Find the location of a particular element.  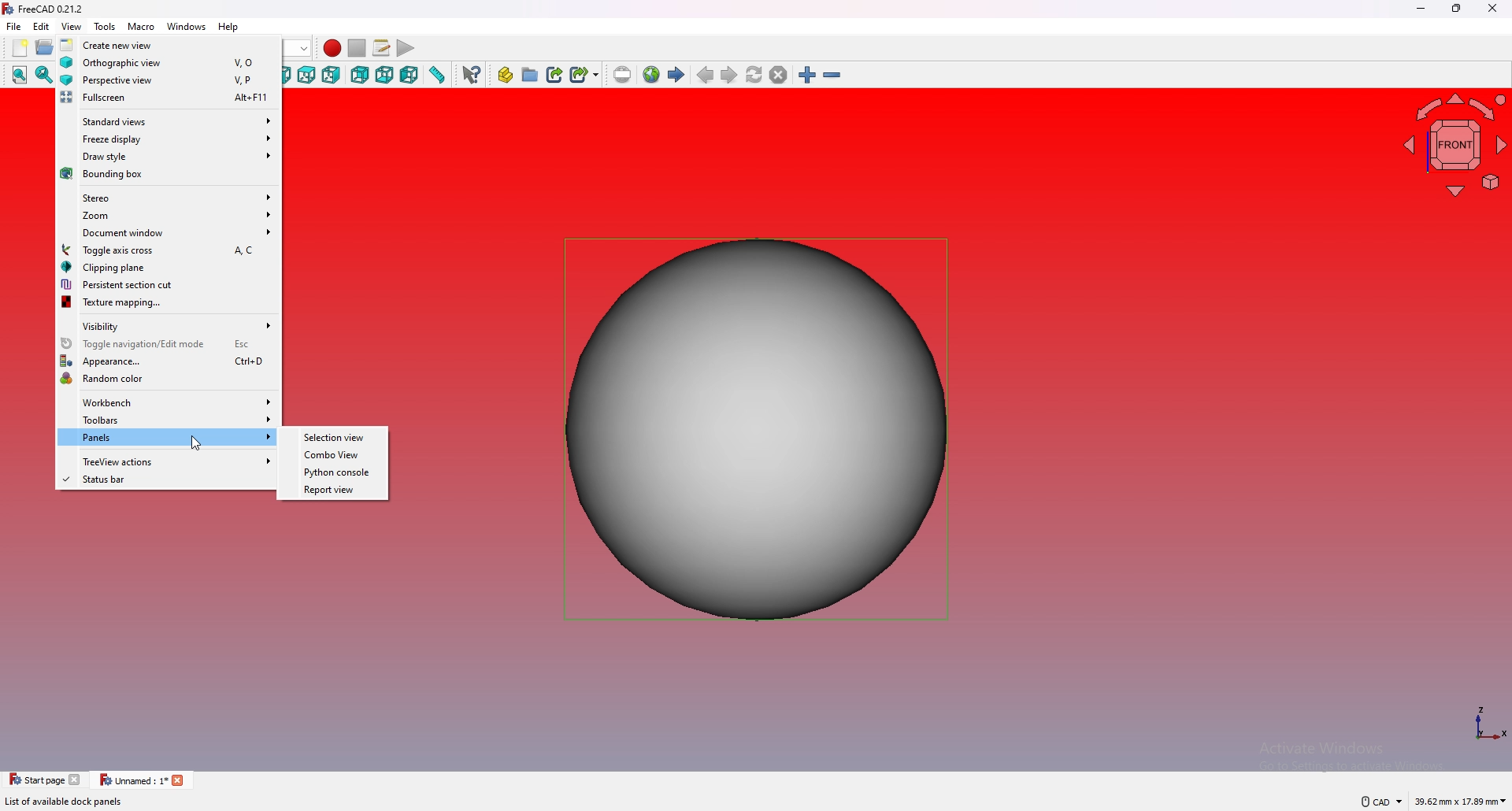

report view is located at coordinates (335, 490).